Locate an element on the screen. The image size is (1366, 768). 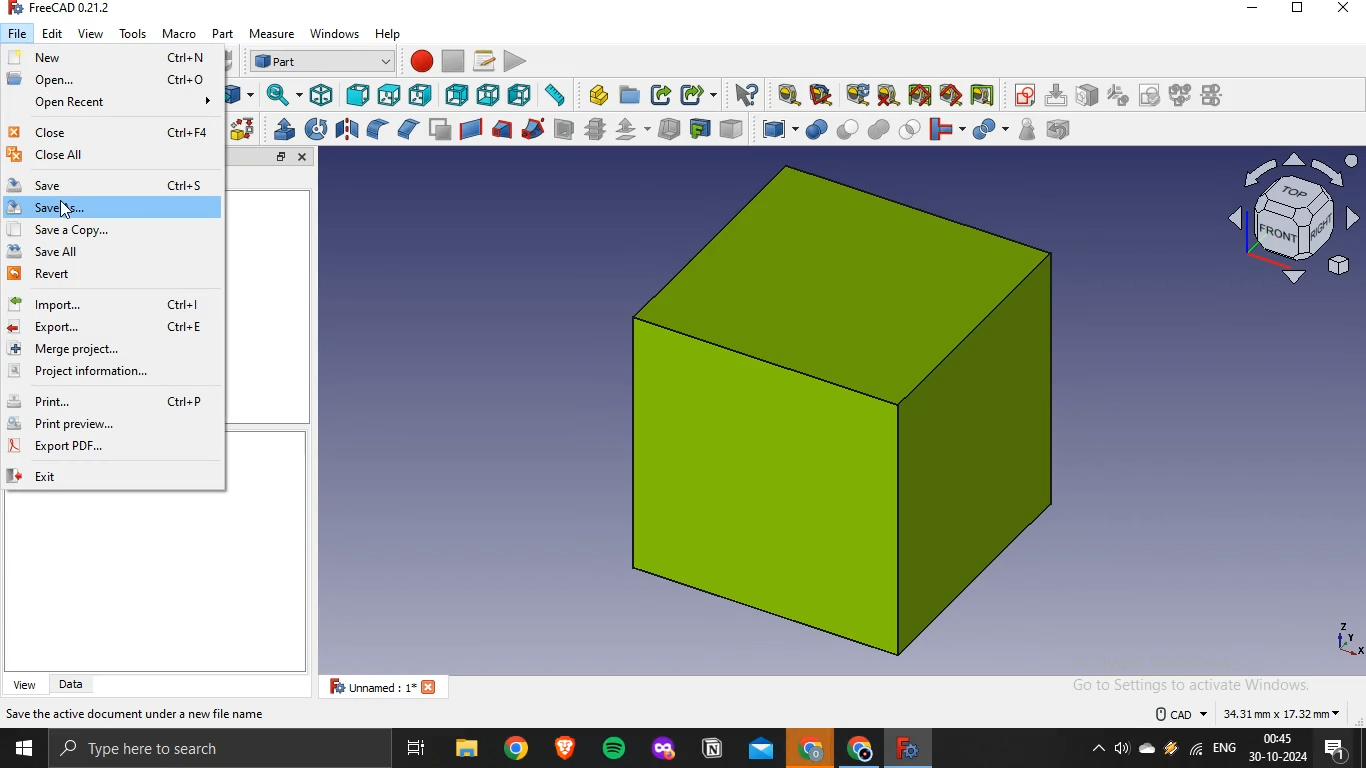
close is located at coordinates (1342, 9).